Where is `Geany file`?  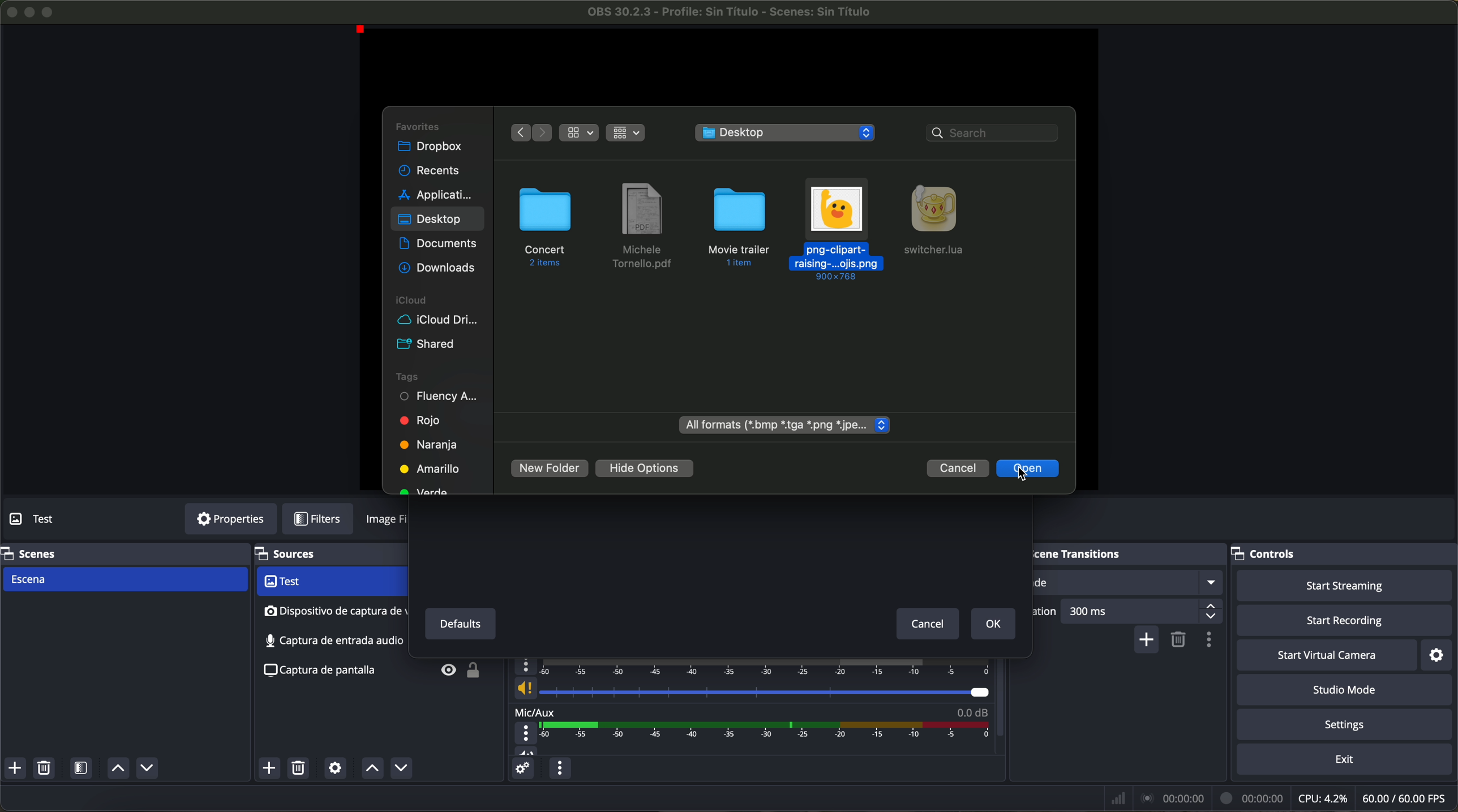 Geany file is located at coordinates (938, 221).